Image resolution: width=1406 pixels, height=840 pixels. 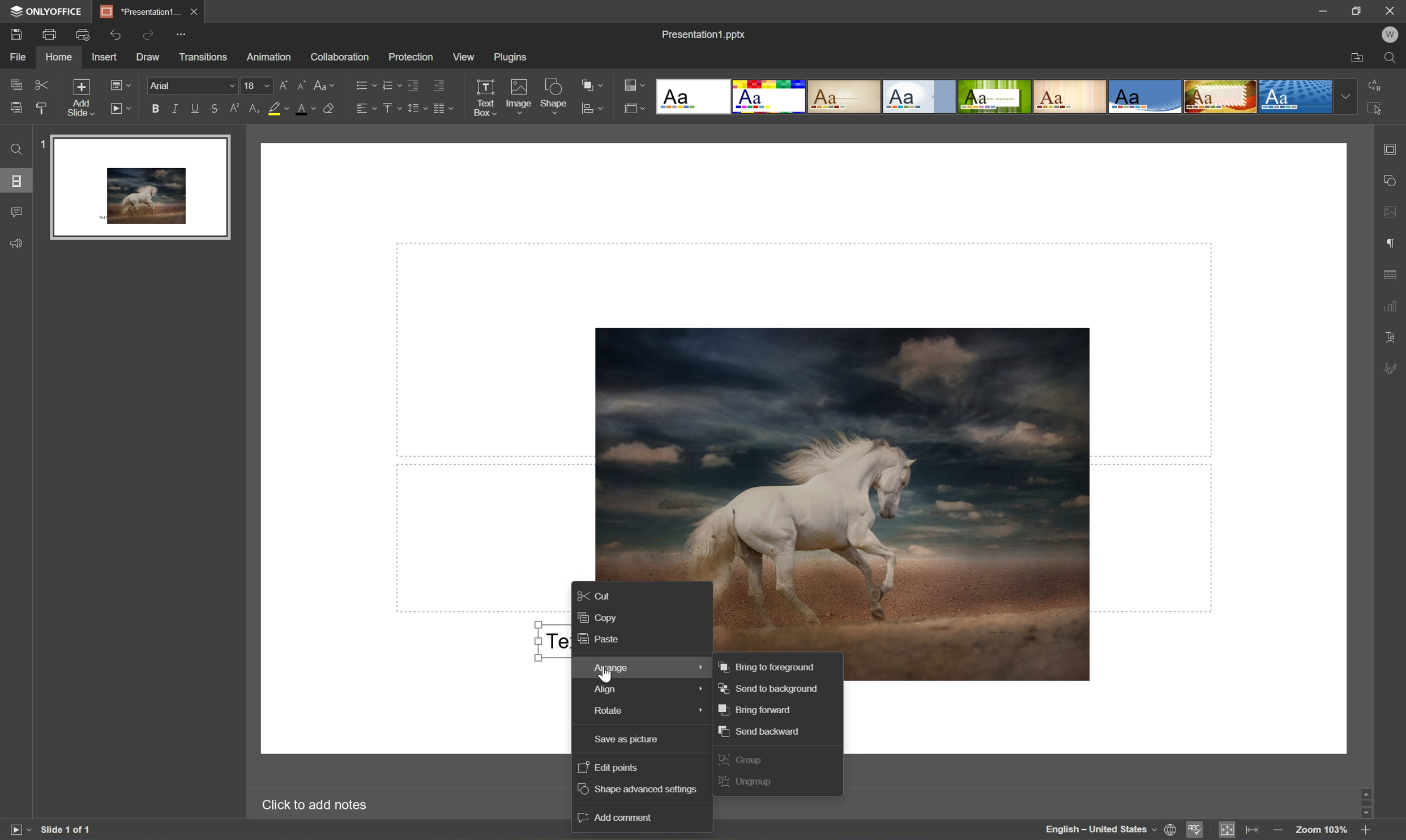 I want to click on File, so click(x=20, y=57).